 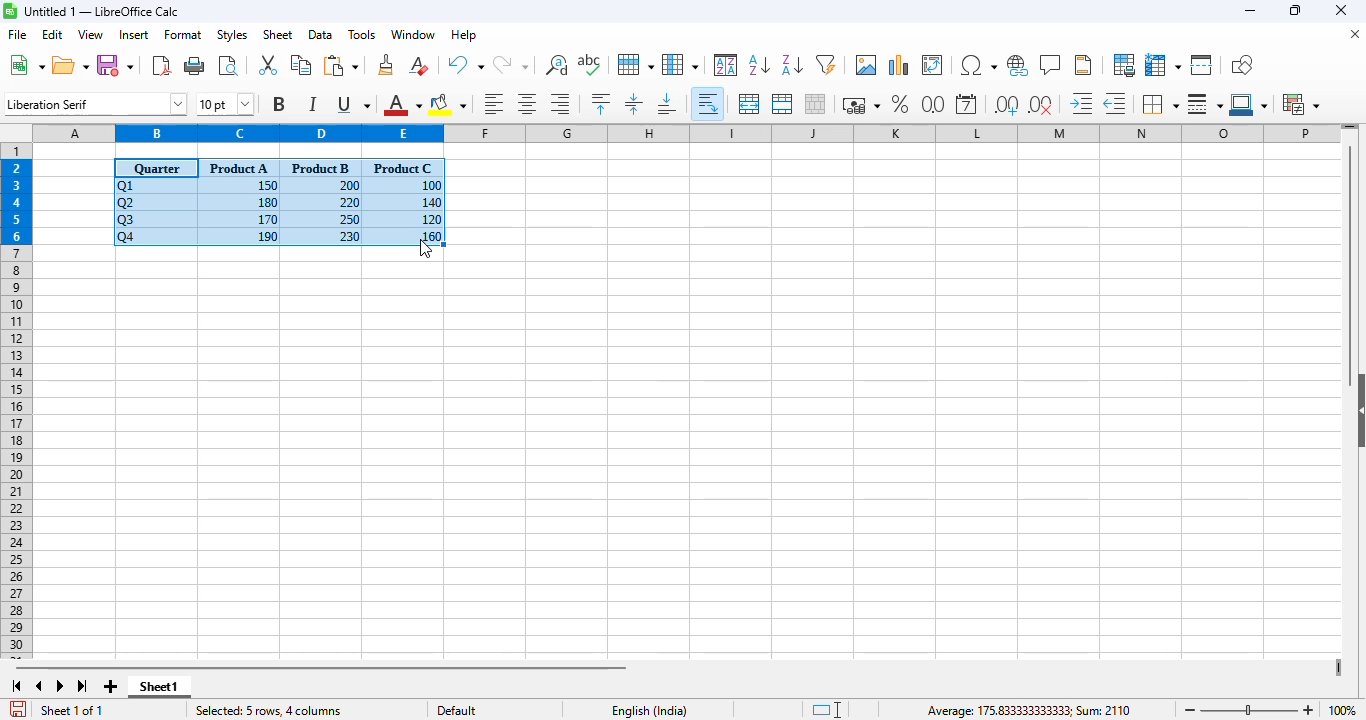 I want to click on zoom slider, so click(x=1251, y=711).